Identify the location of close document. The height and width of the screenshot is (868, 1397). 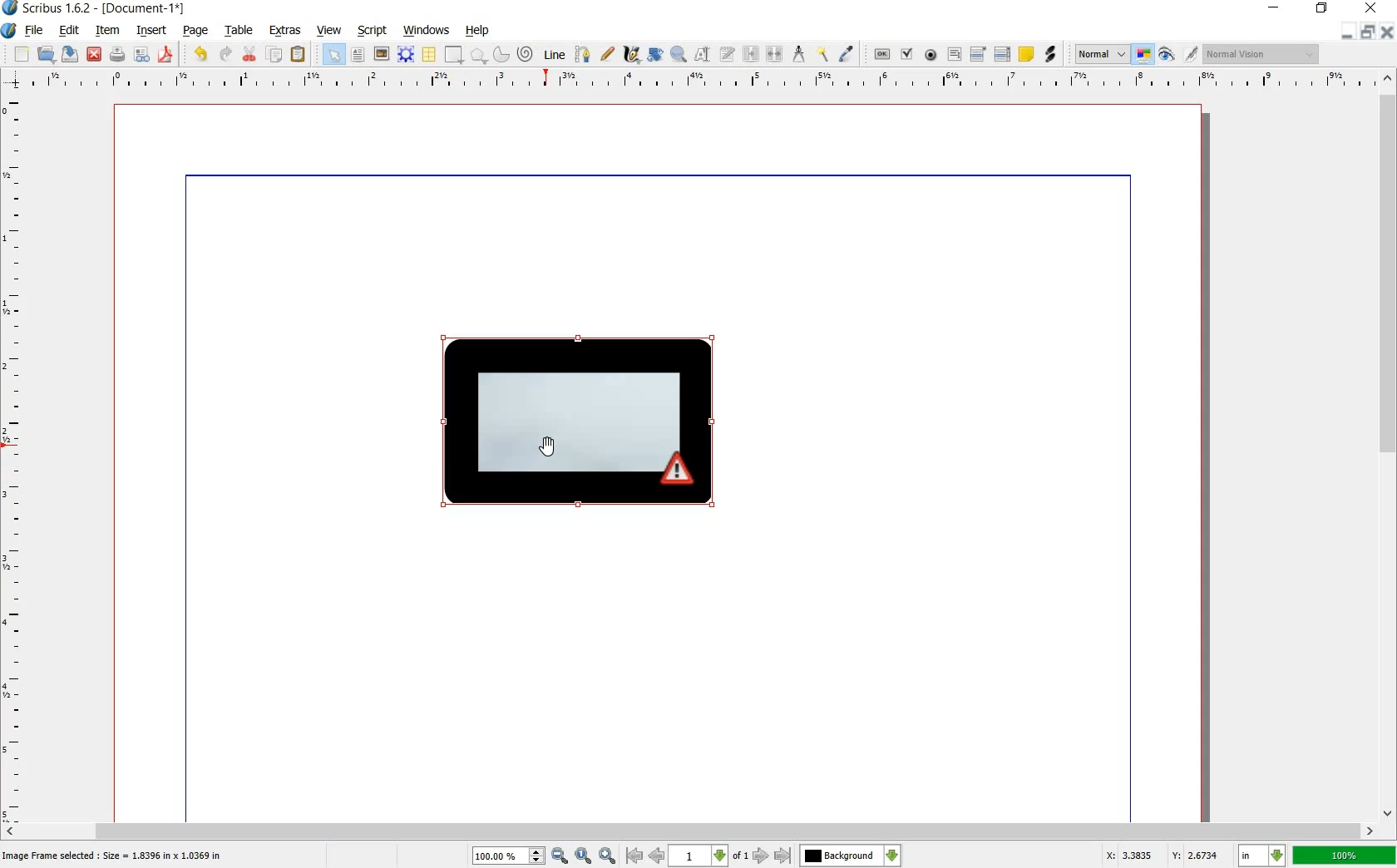
(1389, 30).